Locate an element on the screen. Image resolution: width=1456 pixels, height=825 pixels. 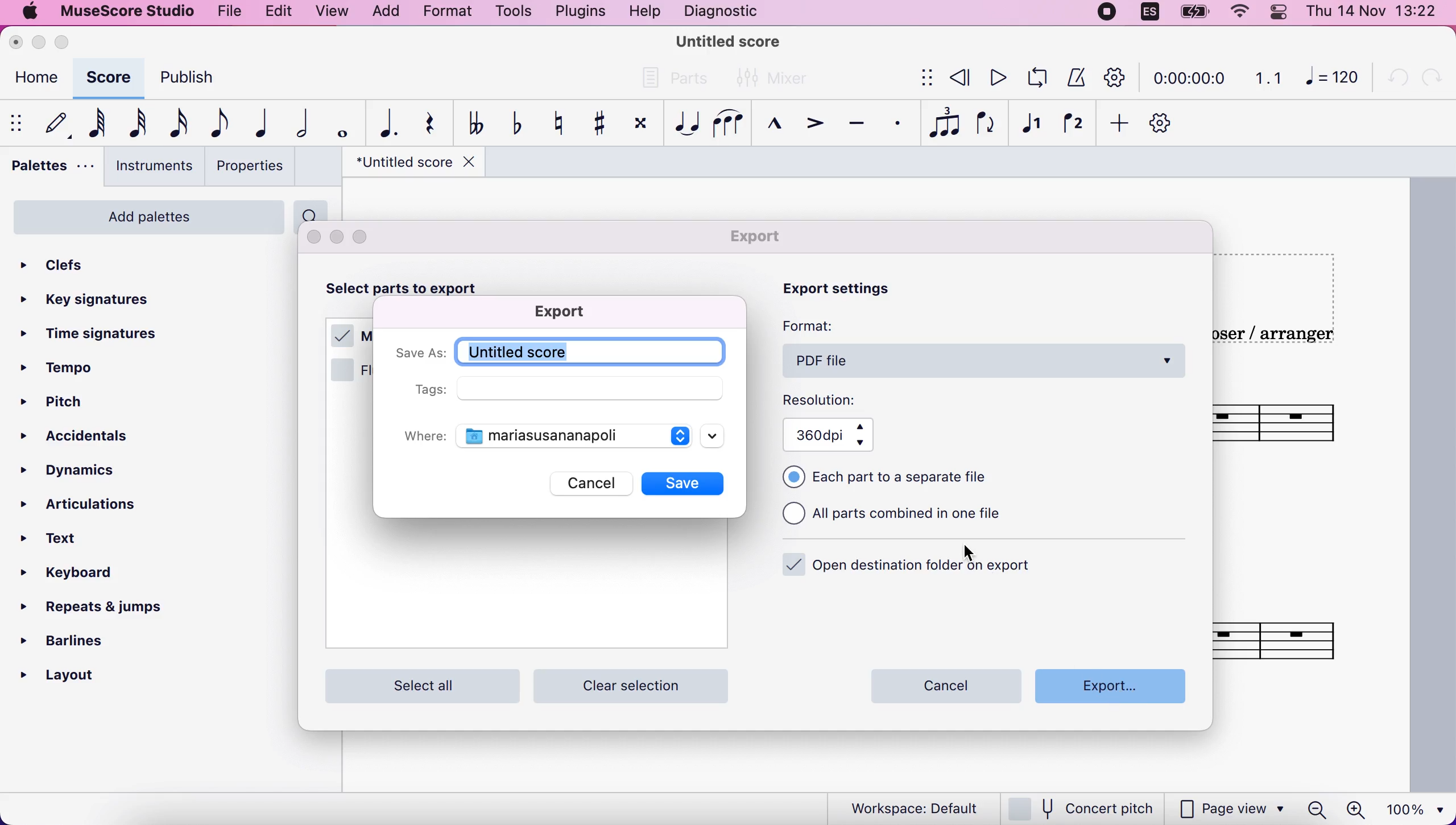
repeats and jumps is located at coordinates (106, 610).